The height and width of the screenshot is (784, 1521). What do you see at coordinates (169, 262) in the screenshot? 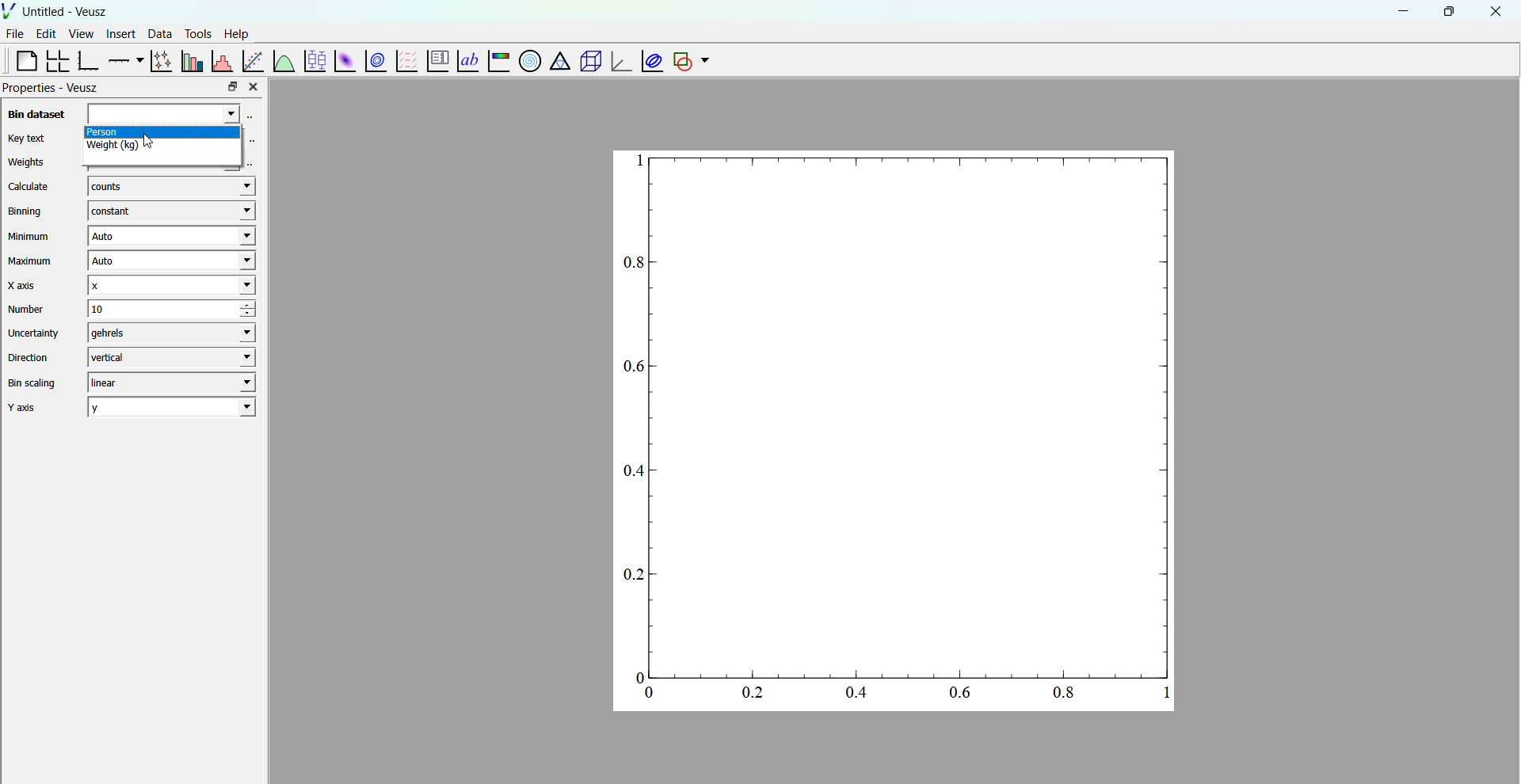
I see `Auto ` at bounding box center [169, 262].